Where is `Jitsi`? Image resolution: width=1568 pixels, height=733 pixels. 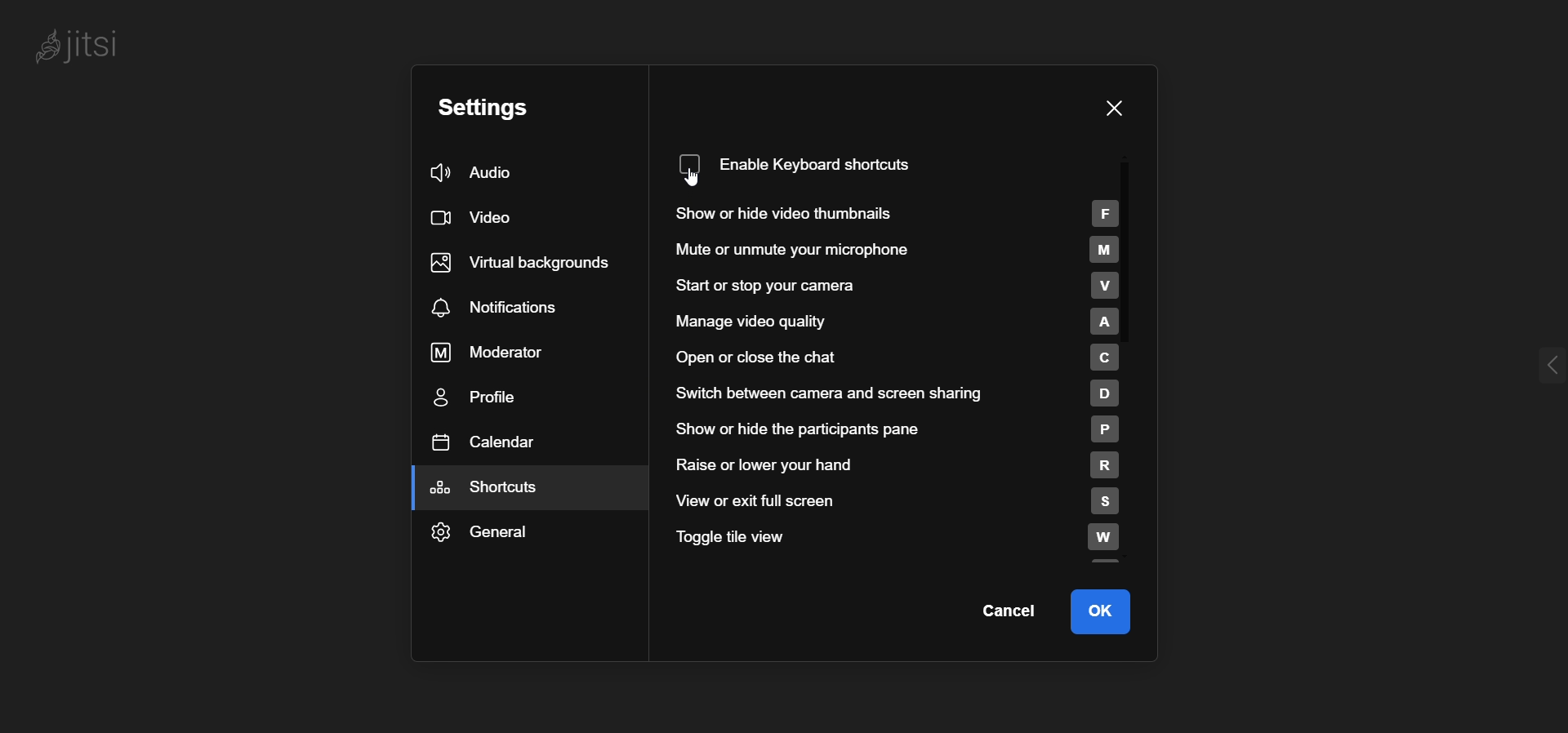 Jitsi is located at coordinates (82, 49).